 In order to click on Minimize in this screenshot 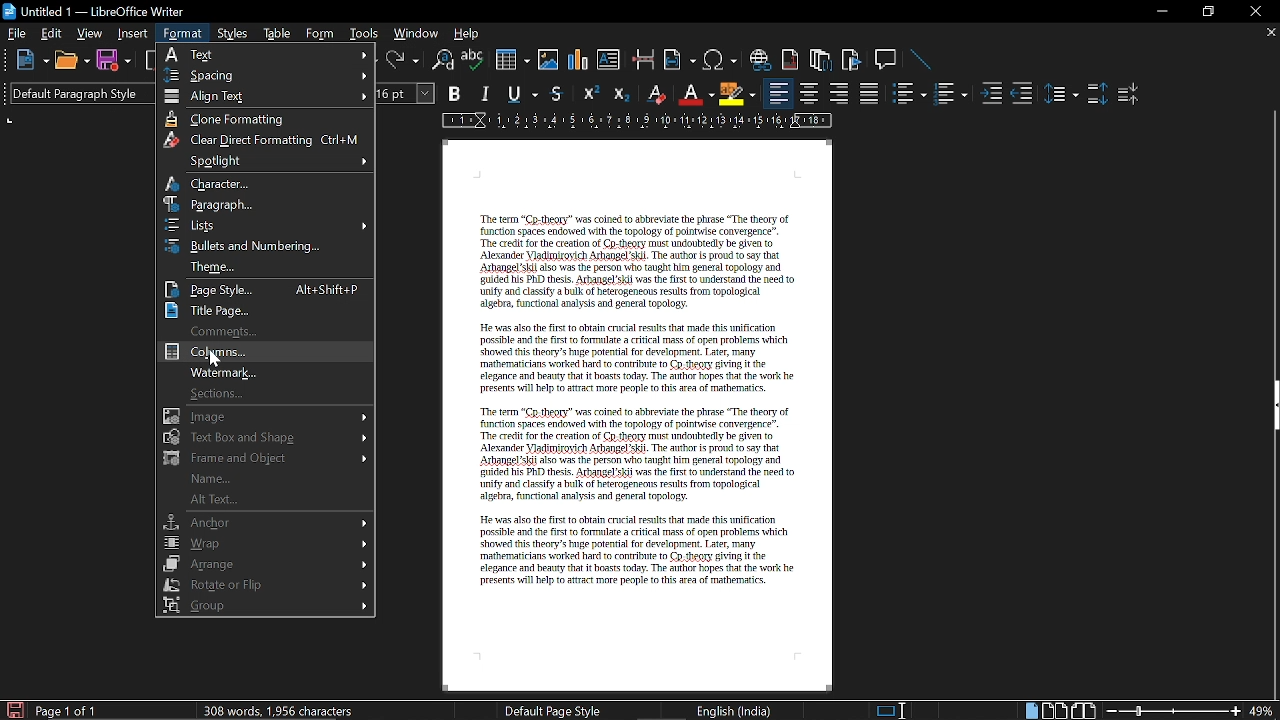, I will do `click(1159, 11)`.